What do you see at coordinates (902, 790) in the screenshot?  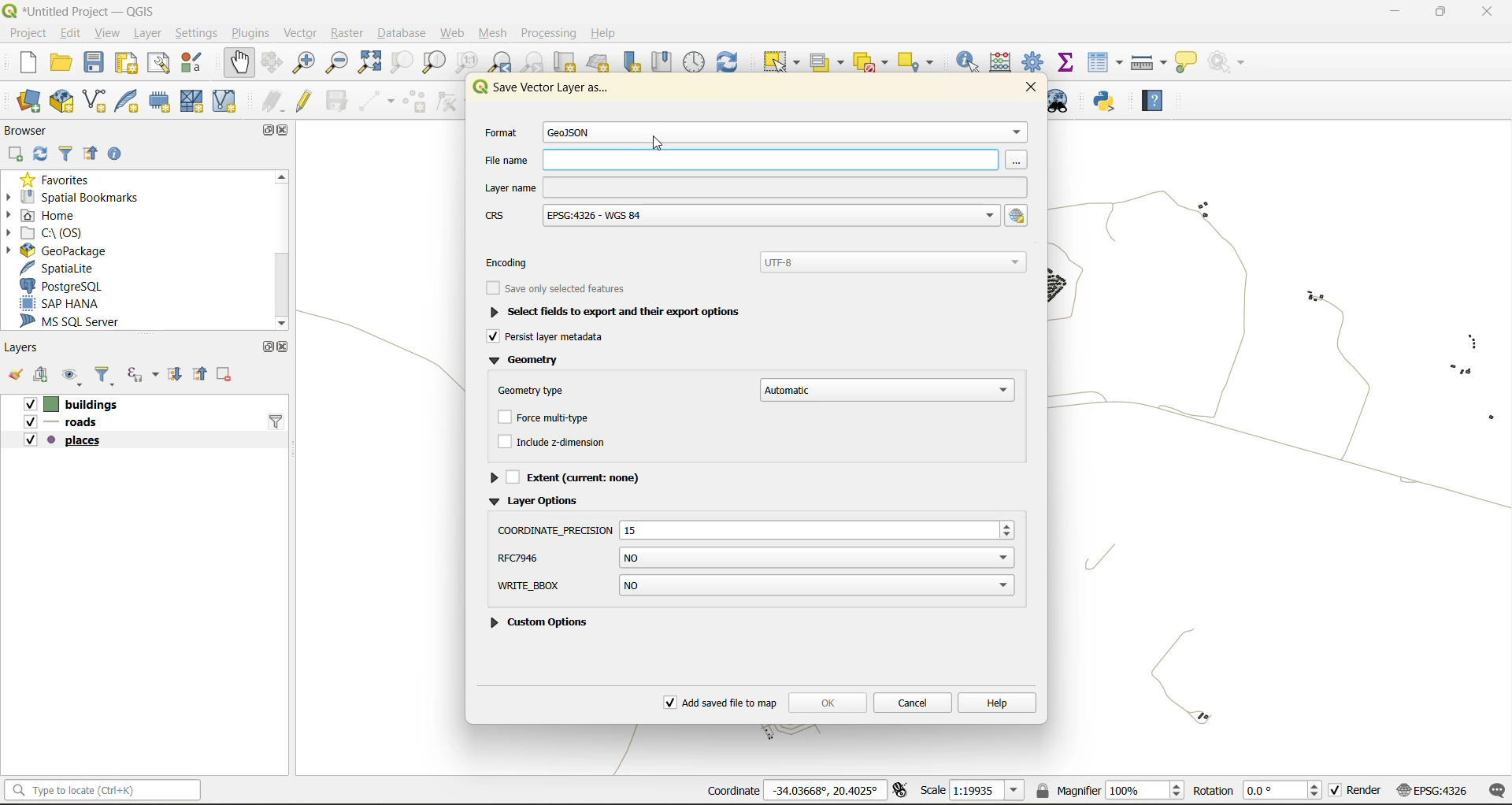 I see `toggle extents` at bounding box center [902, 790].